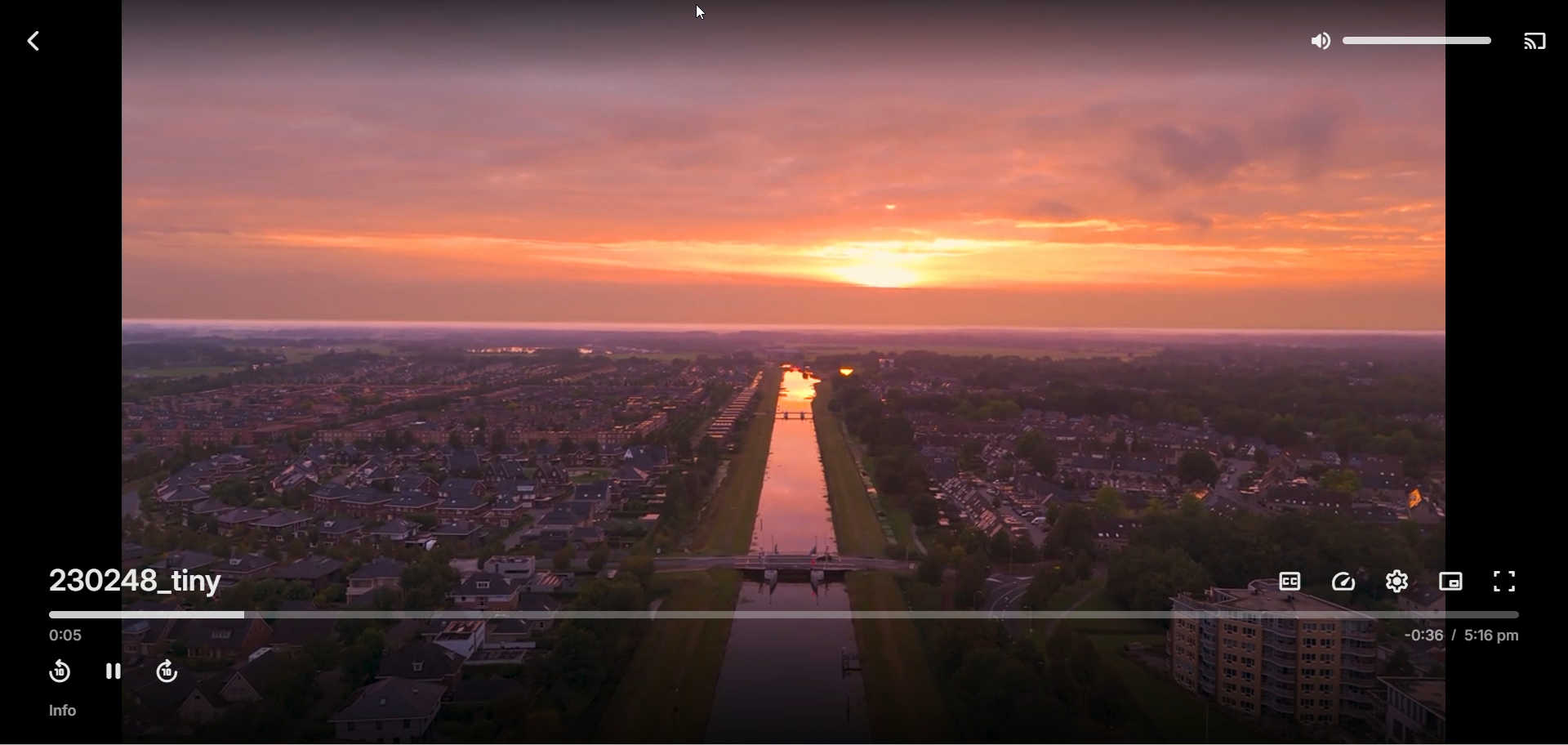 This screenshot has height=745, width=1568. I want to click on settings, so click(1399, 583).